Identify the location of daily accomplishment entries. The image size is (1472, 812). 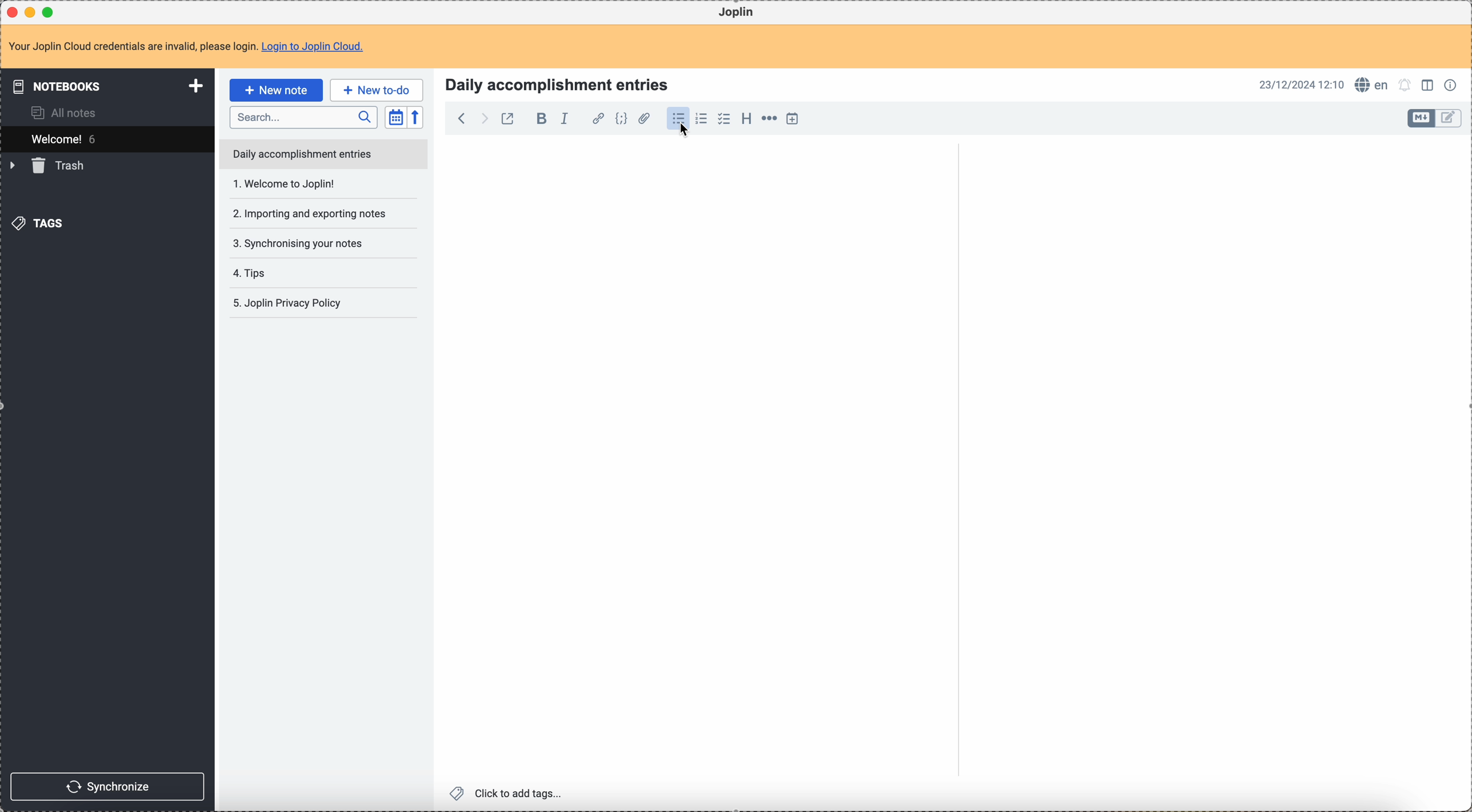
(301, 153).